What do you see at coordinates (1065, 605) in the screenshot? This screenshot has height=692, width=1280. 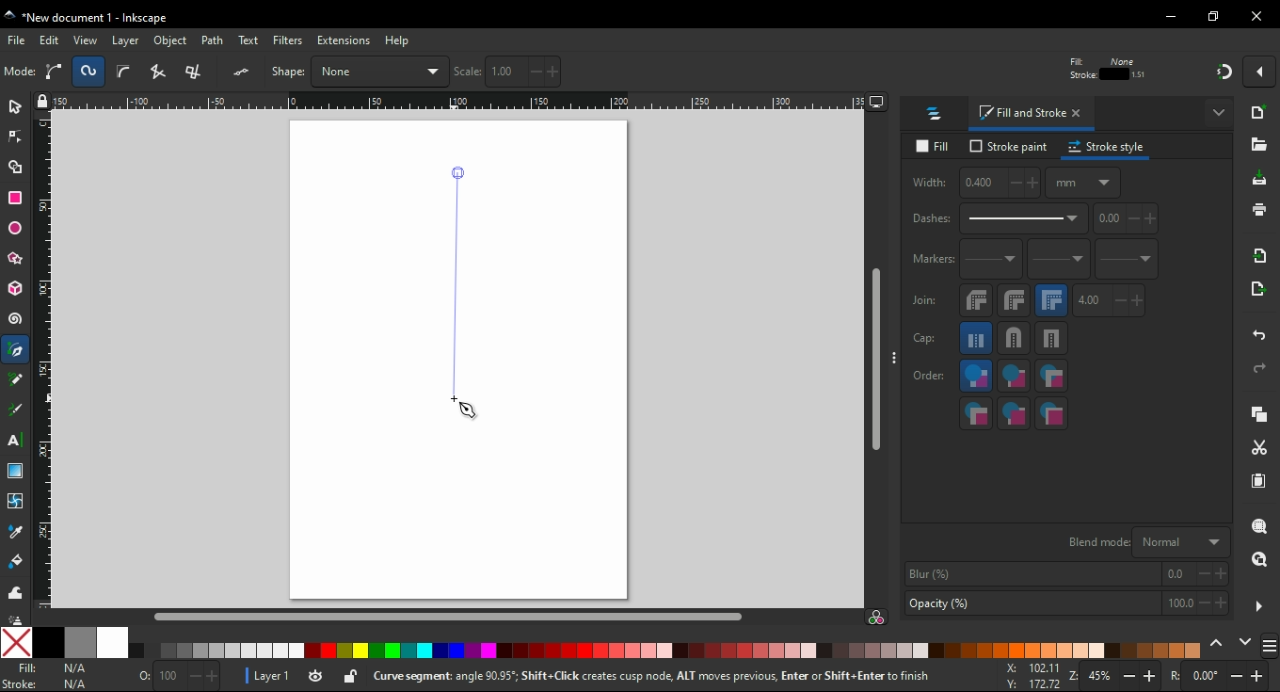 I see `opacity` at bounding box center [1065, 605].